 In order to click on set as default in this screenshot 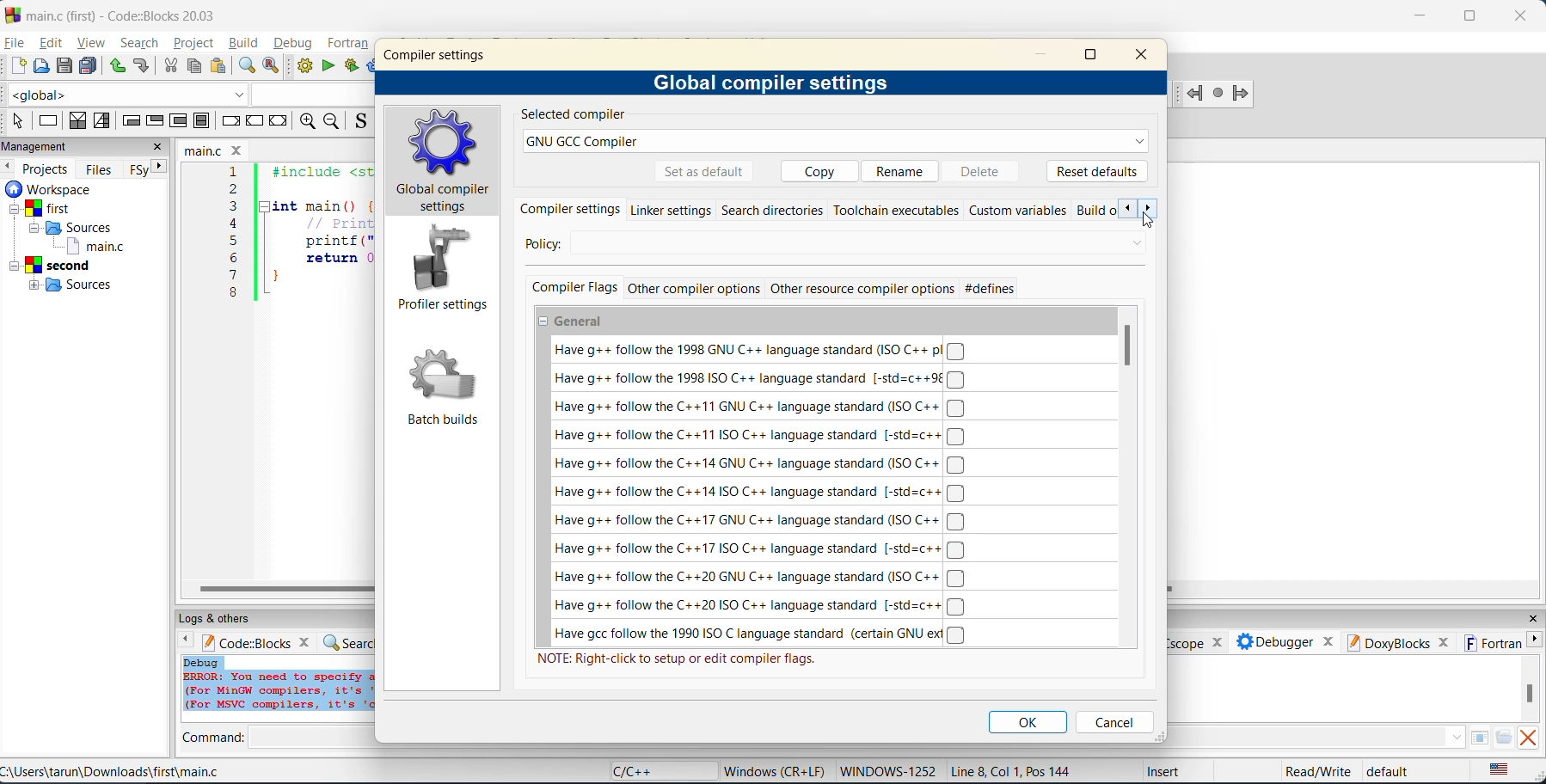, I will do `click(704, 172)`.